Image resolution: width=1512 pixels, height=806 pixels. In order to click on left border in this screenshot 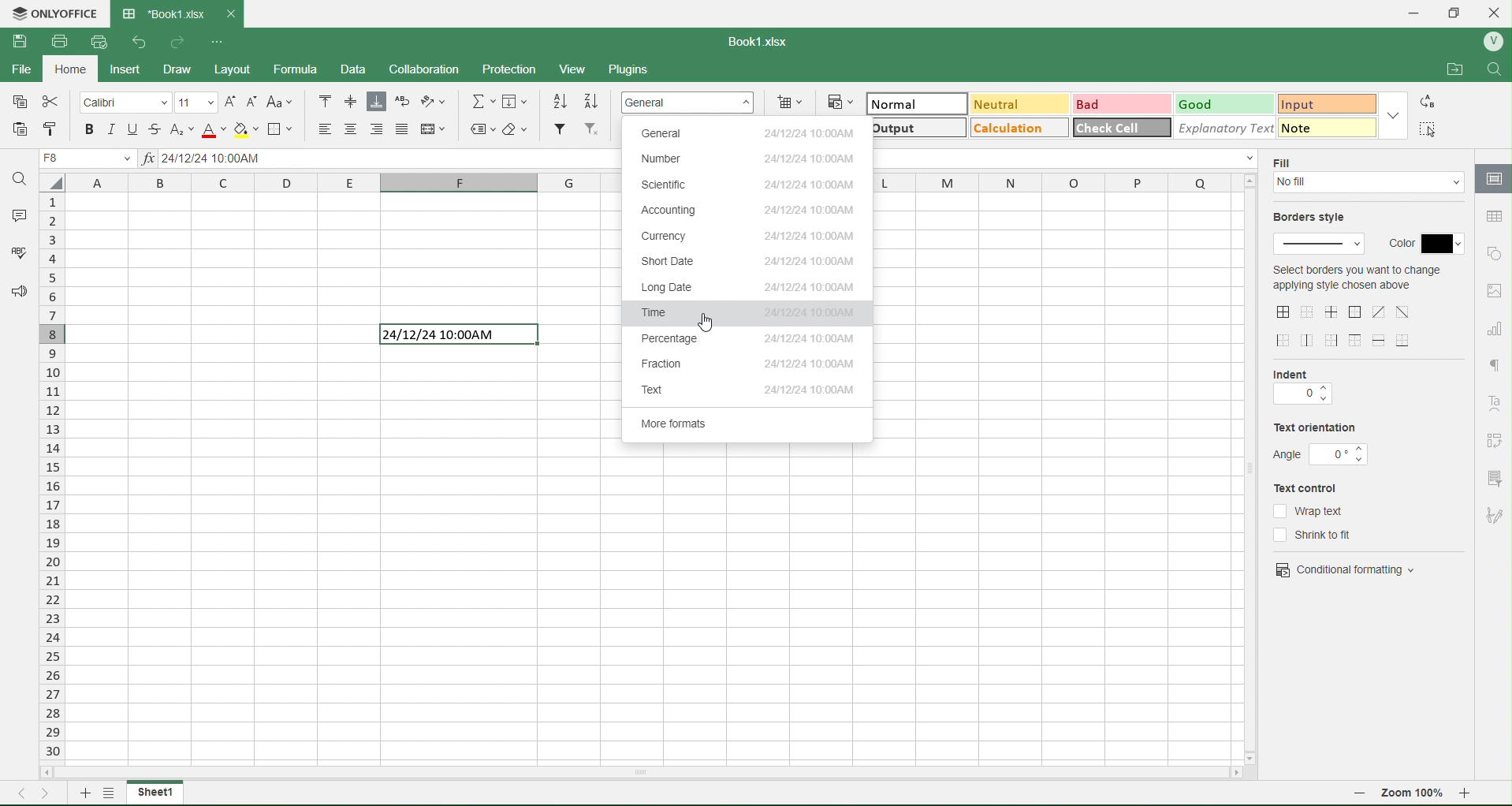, I will do `click(1285, 341)`.